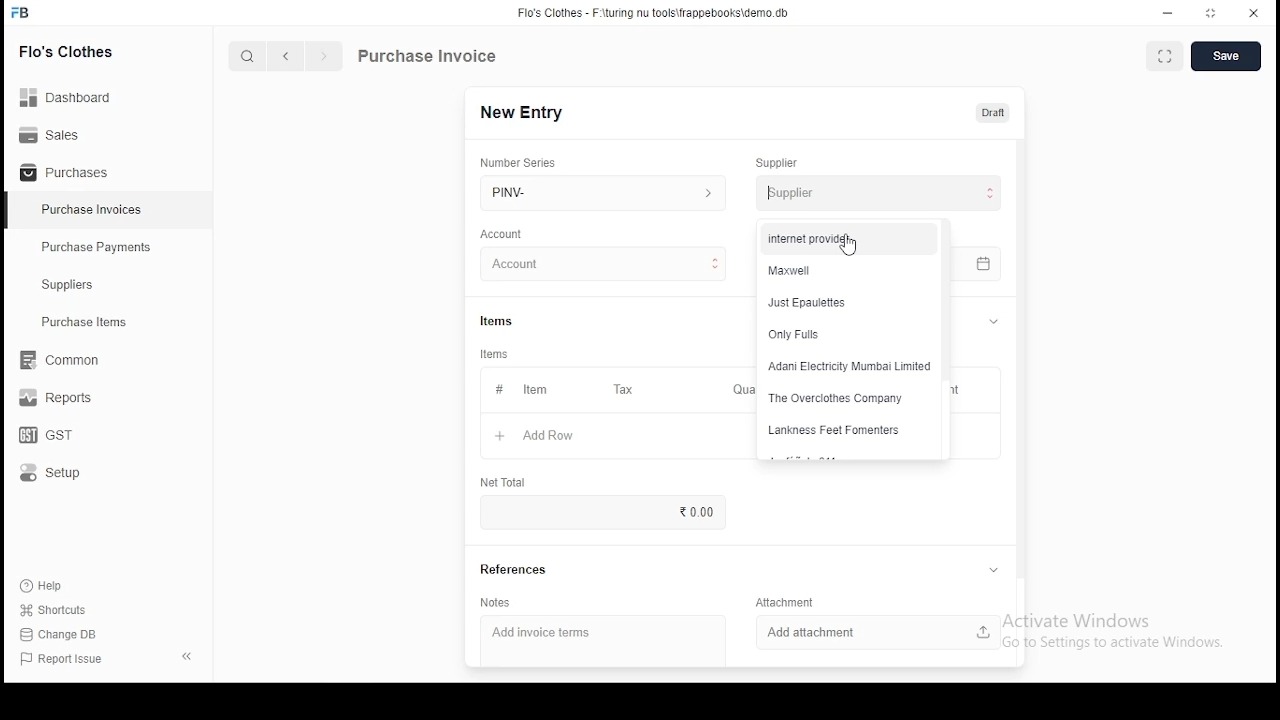 The height and width of the screenshot is (720, 1280). I want to click on only fulls, so click(849, 335).